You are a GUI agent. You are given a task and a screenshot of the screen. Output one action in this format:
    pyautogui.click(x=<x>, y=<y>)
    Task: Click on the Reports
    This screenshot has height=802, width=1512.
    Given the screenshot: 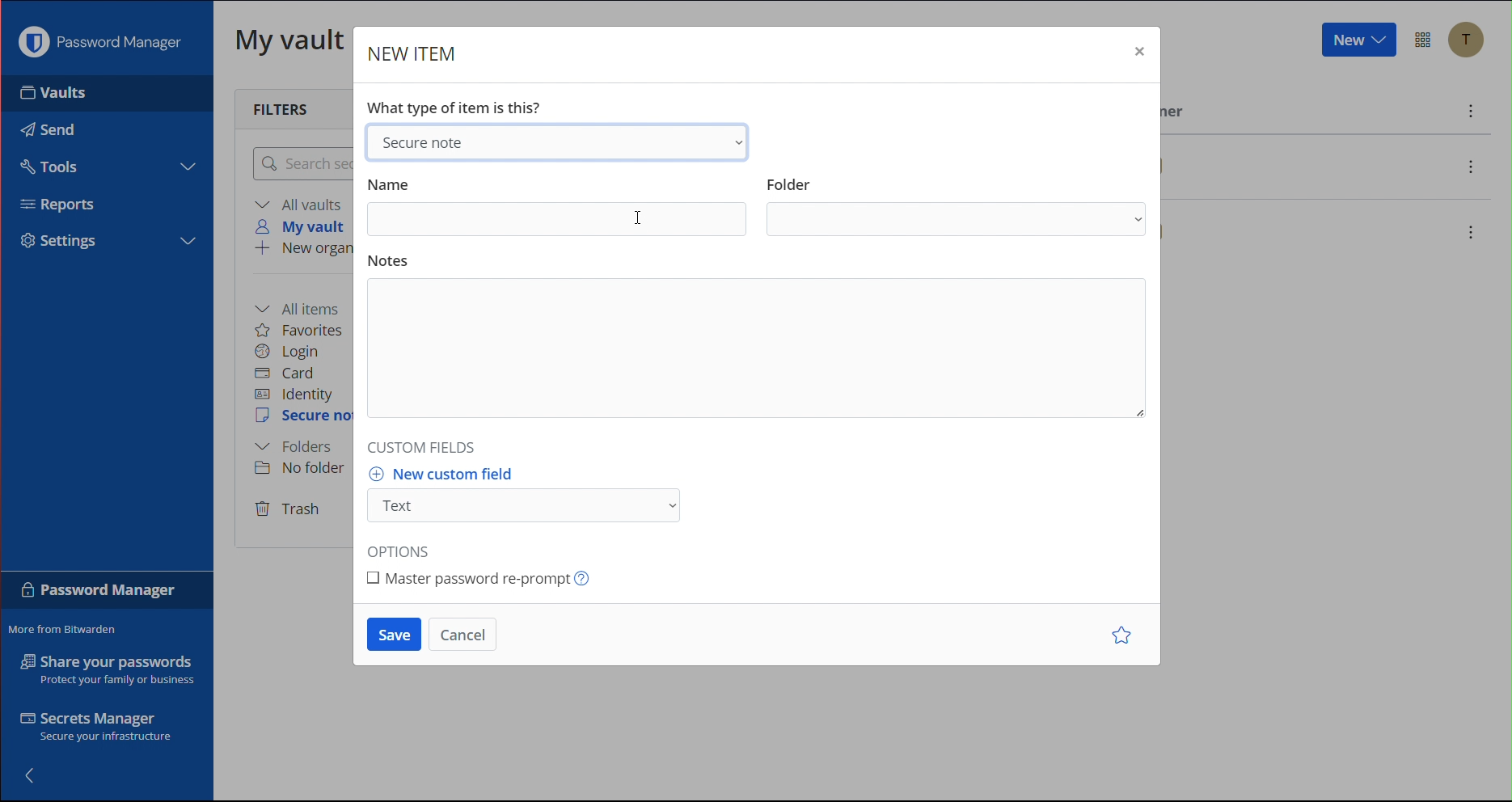 What is the action you would take?
    pyautogui.click(x=58, y=204)
    